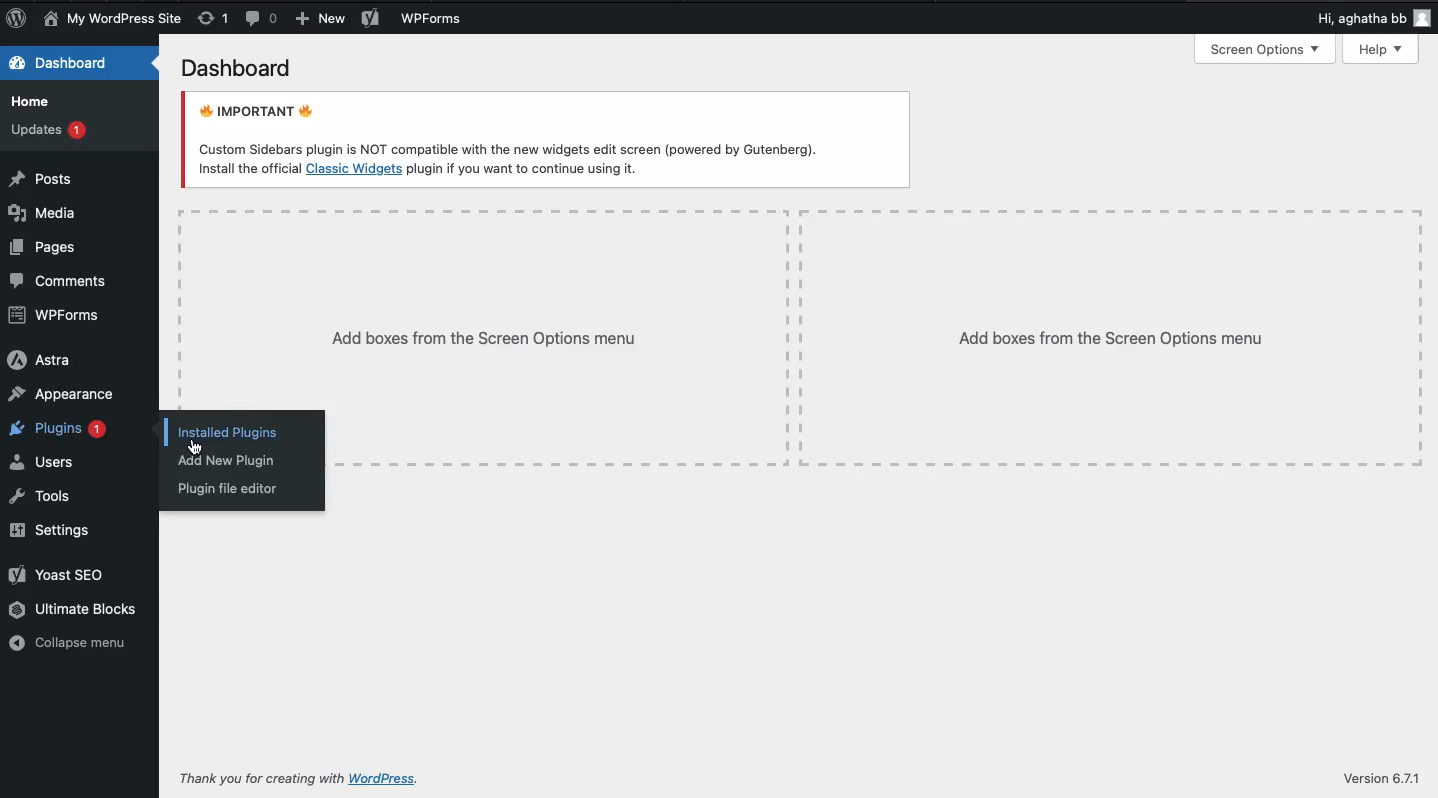 The width and height of the screenshot is (1438, 798). What do you see at coordinates (63, 393) in the screenshot?
I see `Appearance` at bounding box center [63, 393].